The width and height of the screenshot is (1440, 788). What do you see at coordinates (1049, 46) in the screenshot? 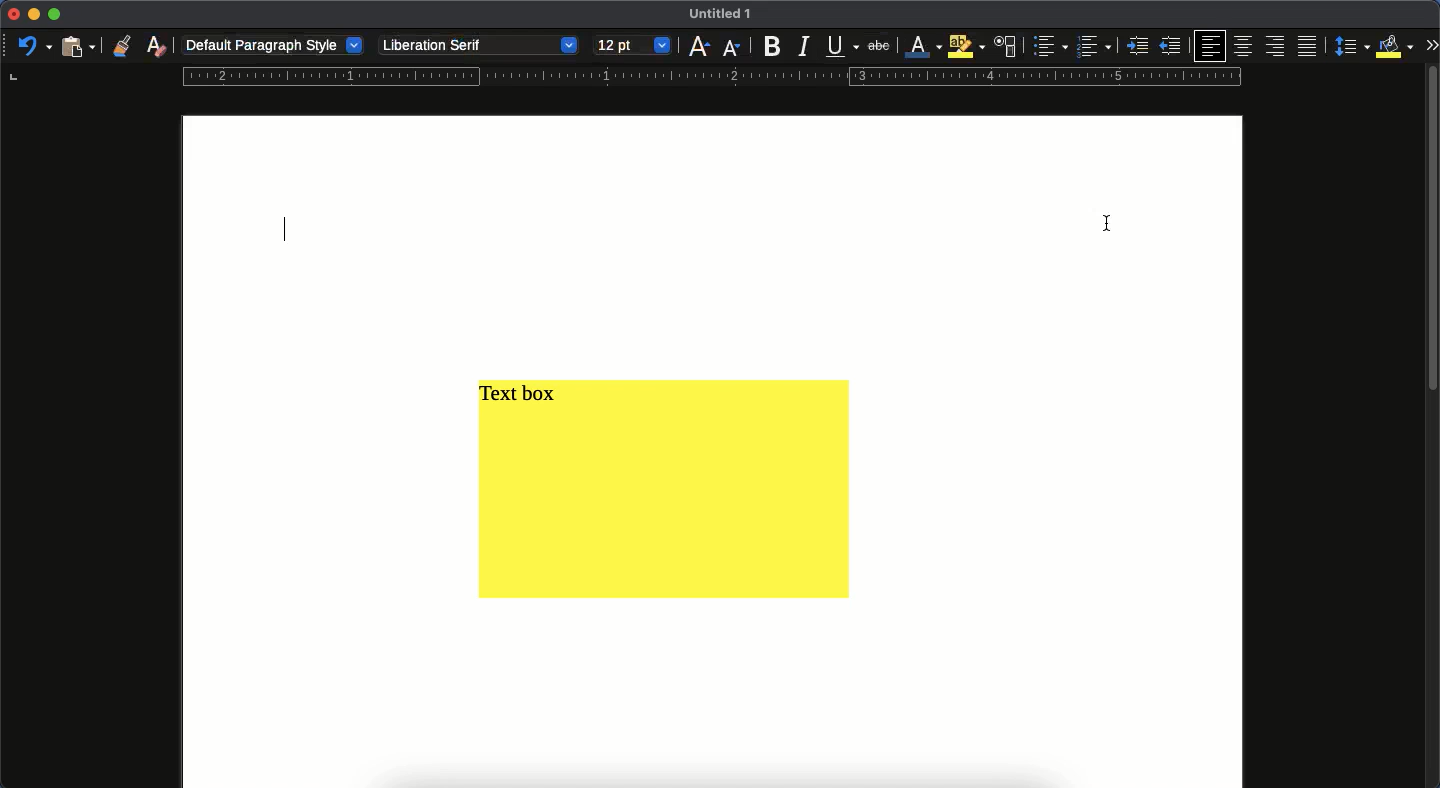
I see `bullet` at bounding box center [1049, 46].